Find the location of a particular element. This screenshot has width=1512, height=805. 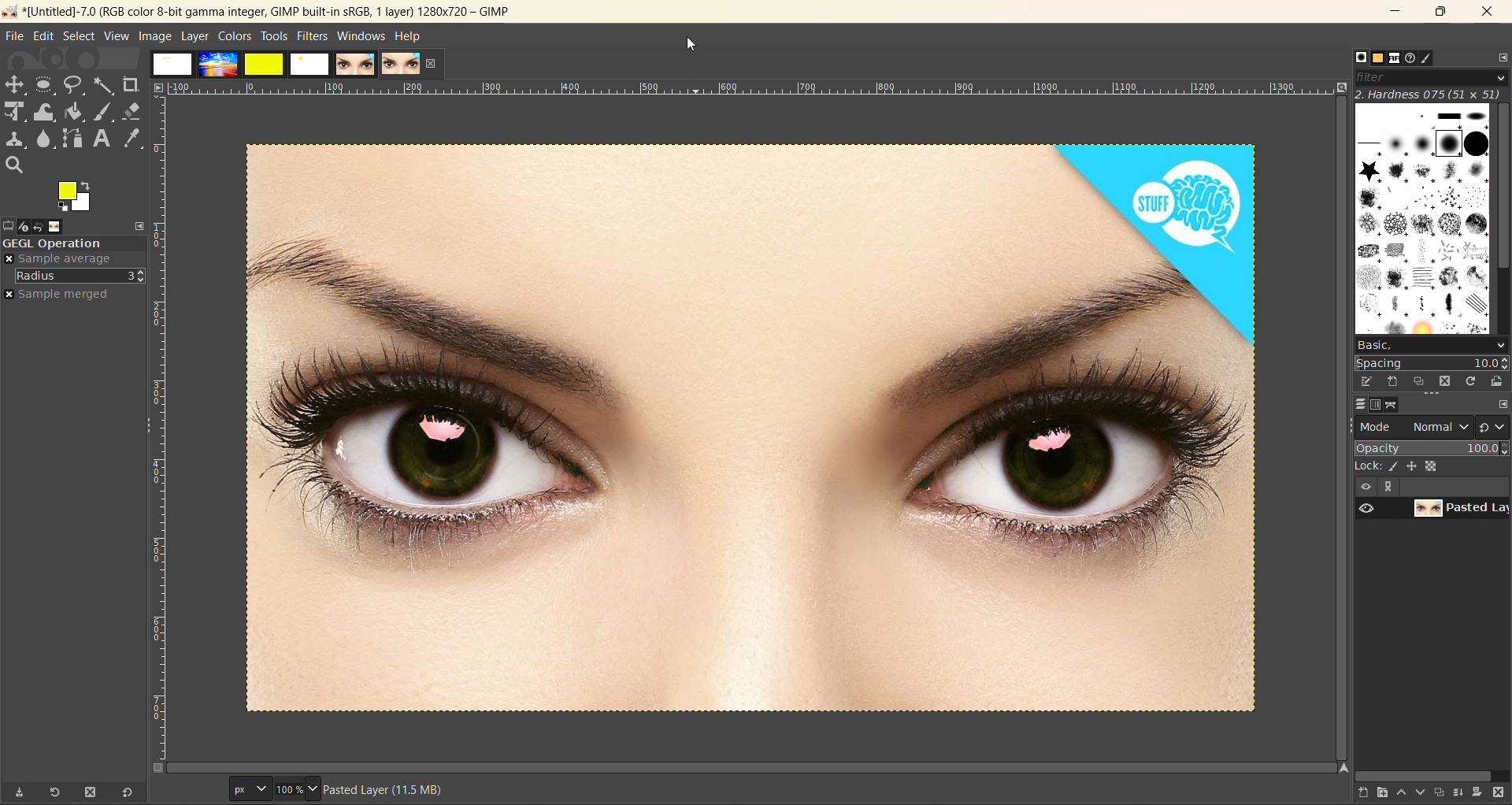

wrap transform is located at coordinates (45, 112).